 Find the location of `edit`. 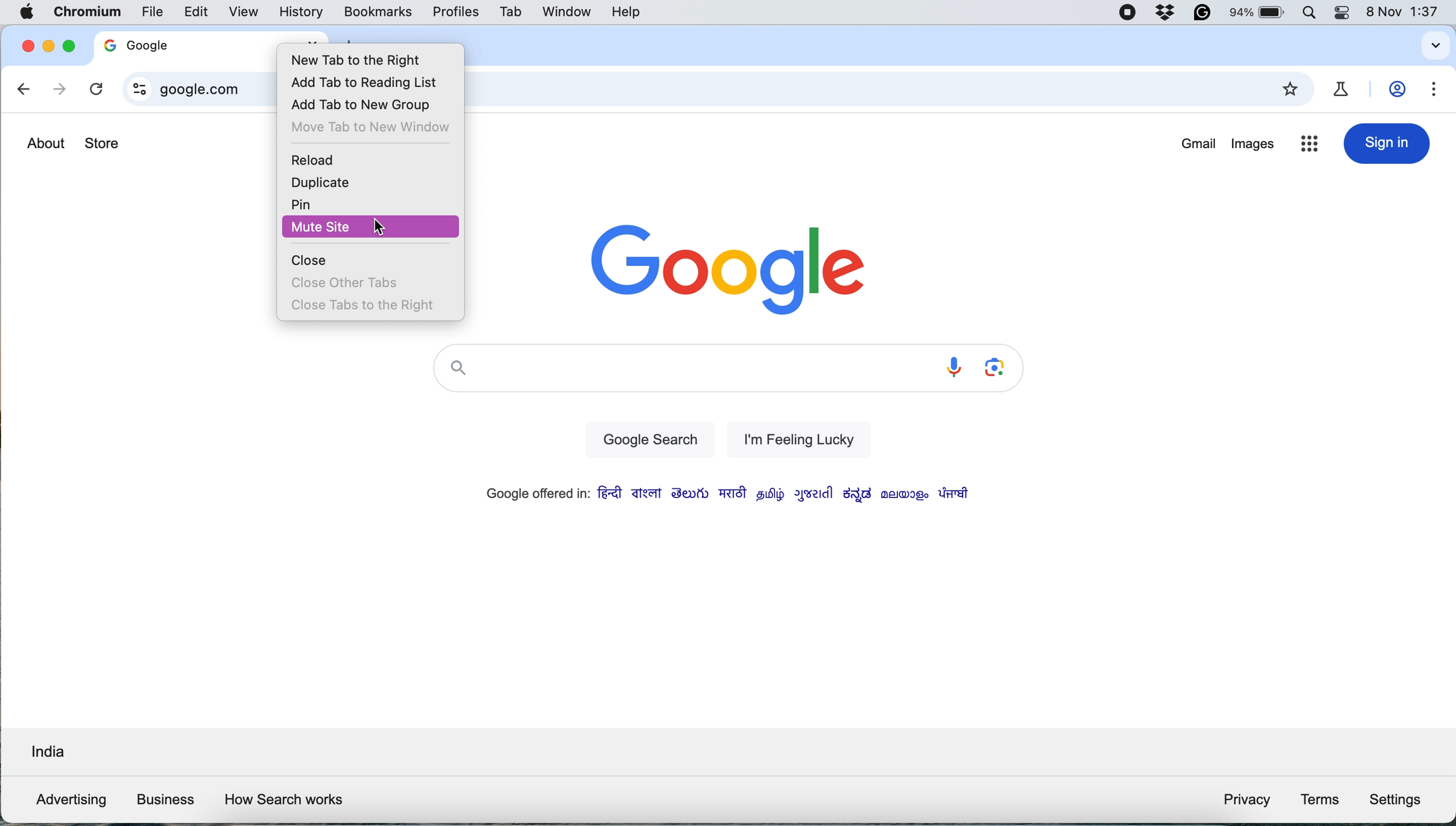

edit is located at coordinates (197, 12).